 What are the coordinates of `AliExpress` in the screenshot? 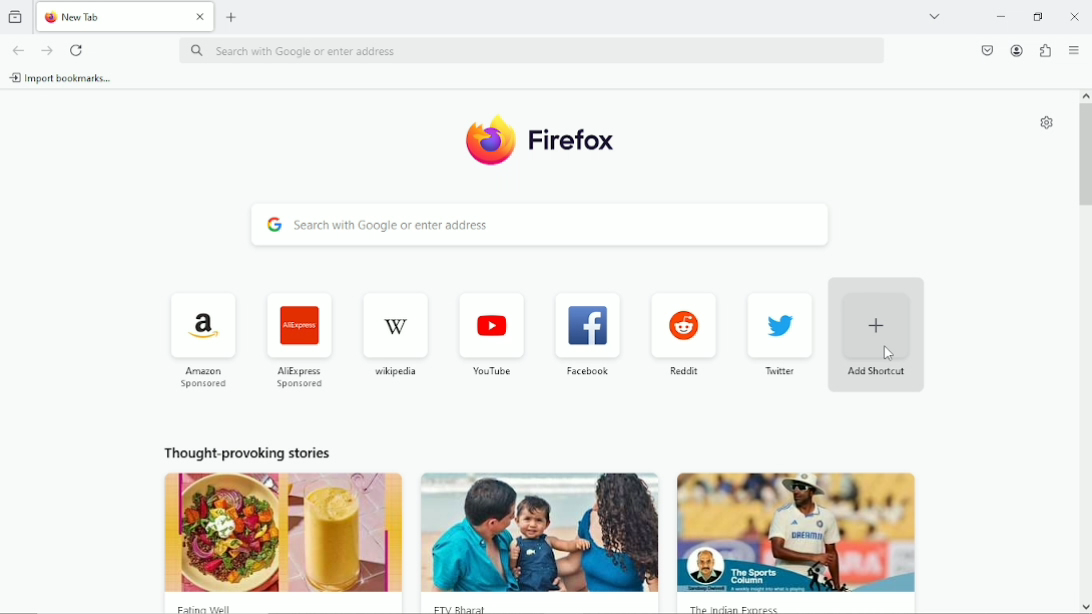 It's located at (297, 338).